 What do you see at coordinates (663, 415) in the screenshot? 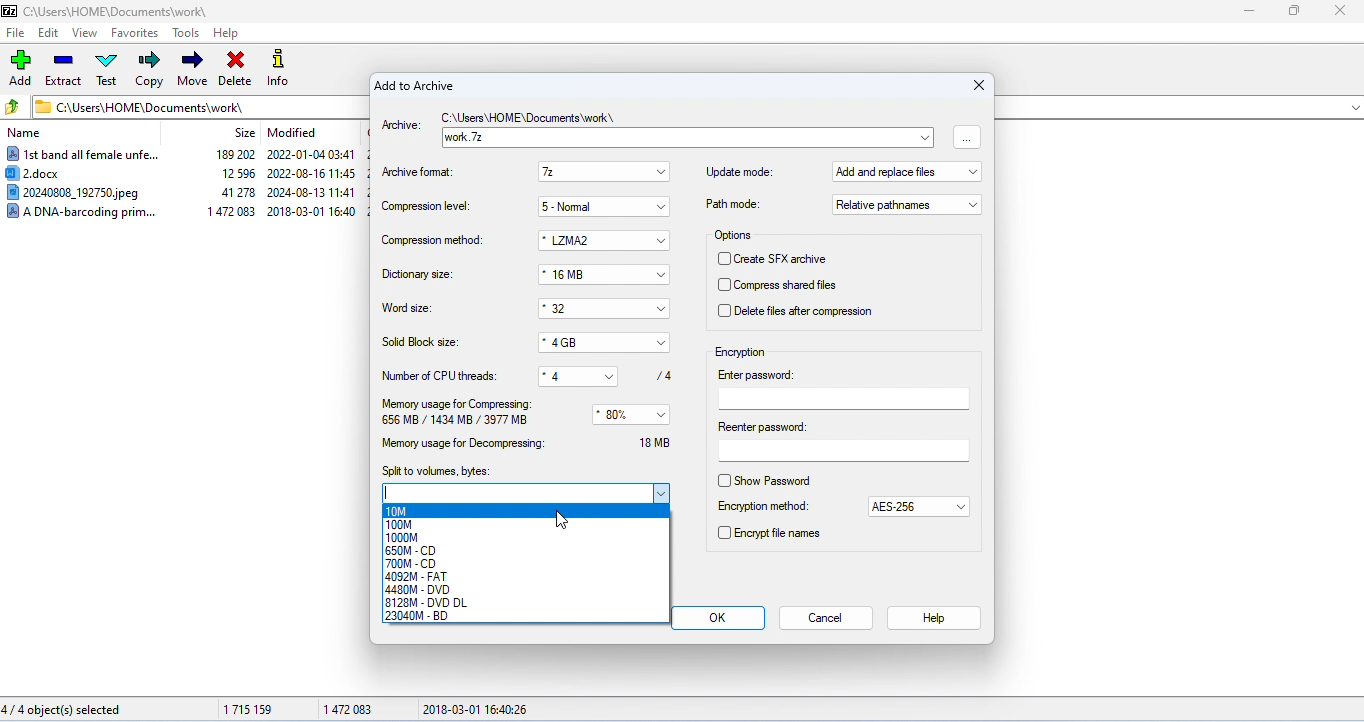
I see `drop down` at bounding box center [663, 415].